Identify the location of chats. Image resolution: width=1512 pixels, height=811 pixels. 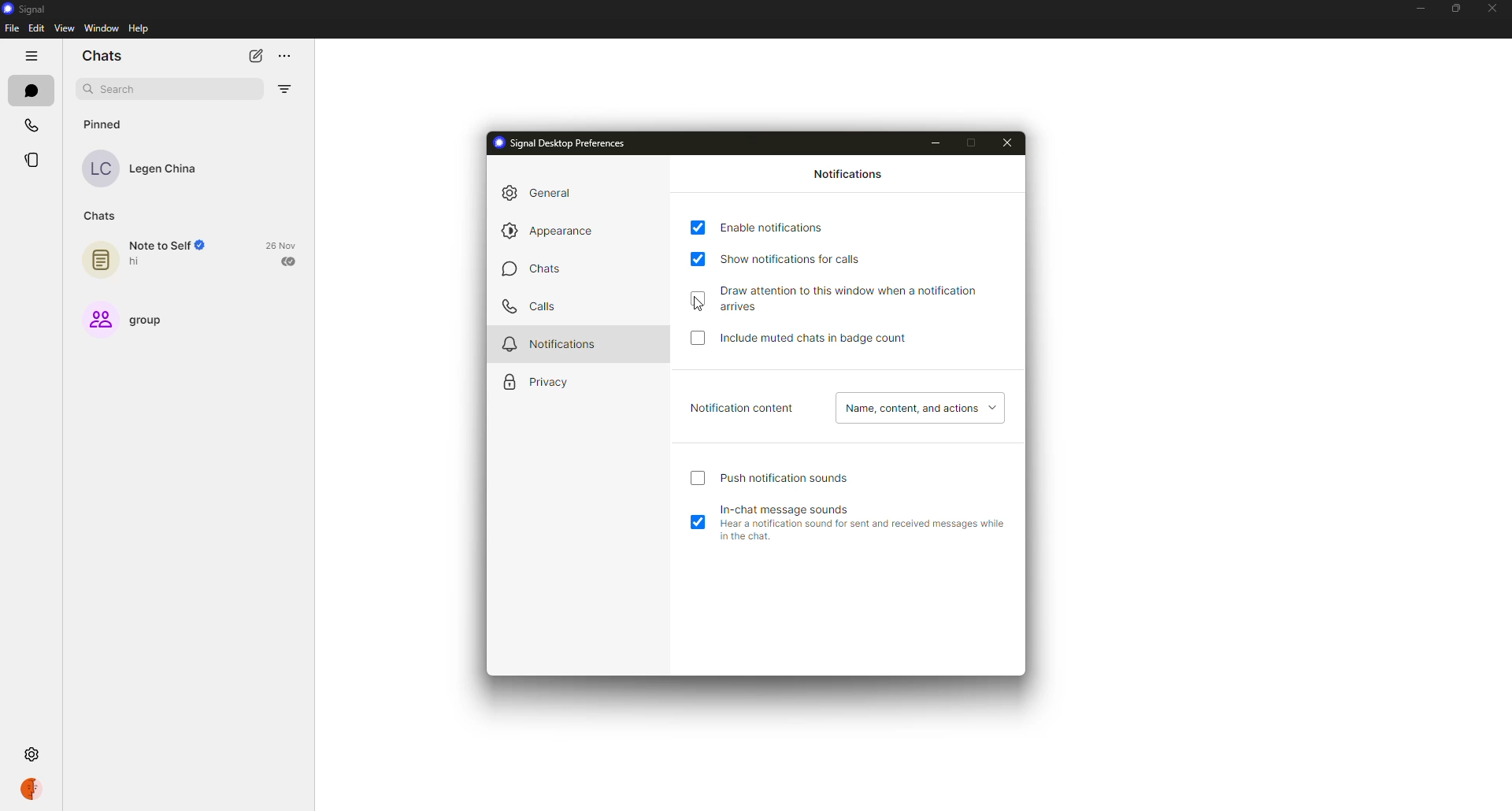
(102, 214).